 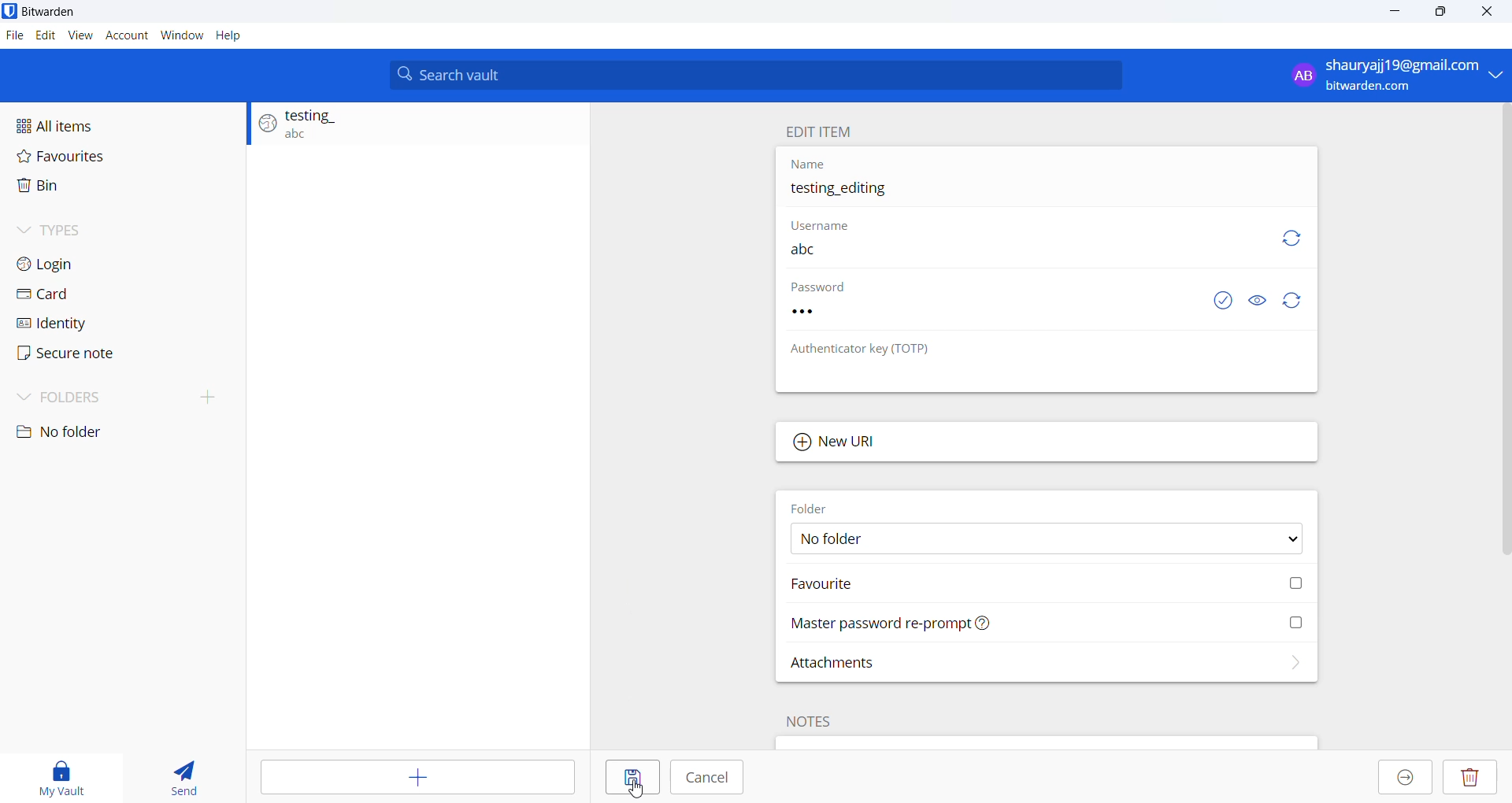 I want to click on application logo, so click(x=9, y=11).